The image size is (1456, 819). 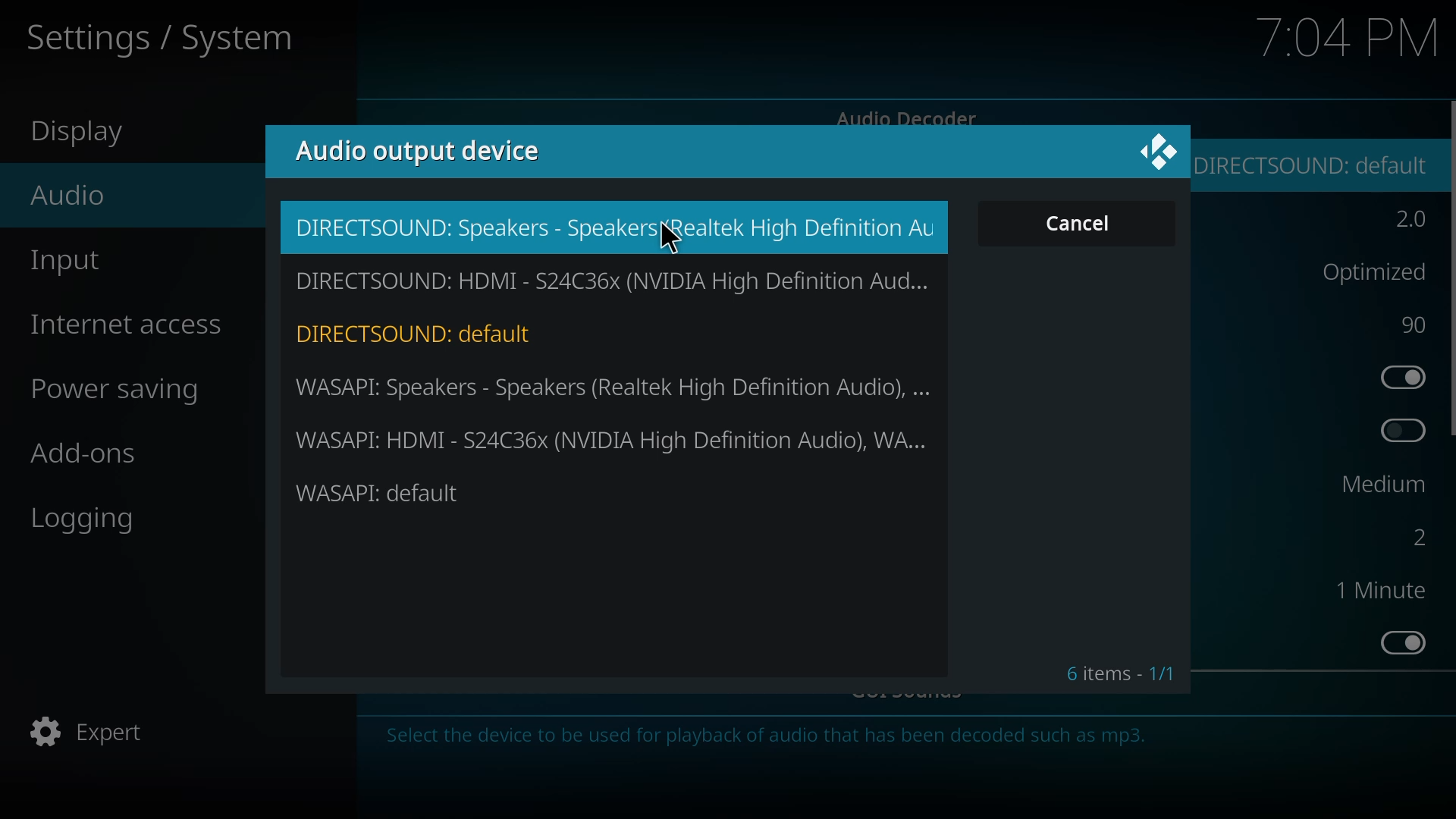 What do you see at coordinates (1416, 325) in the screenshot?
I see `90` at bounding box center [1416, 325].